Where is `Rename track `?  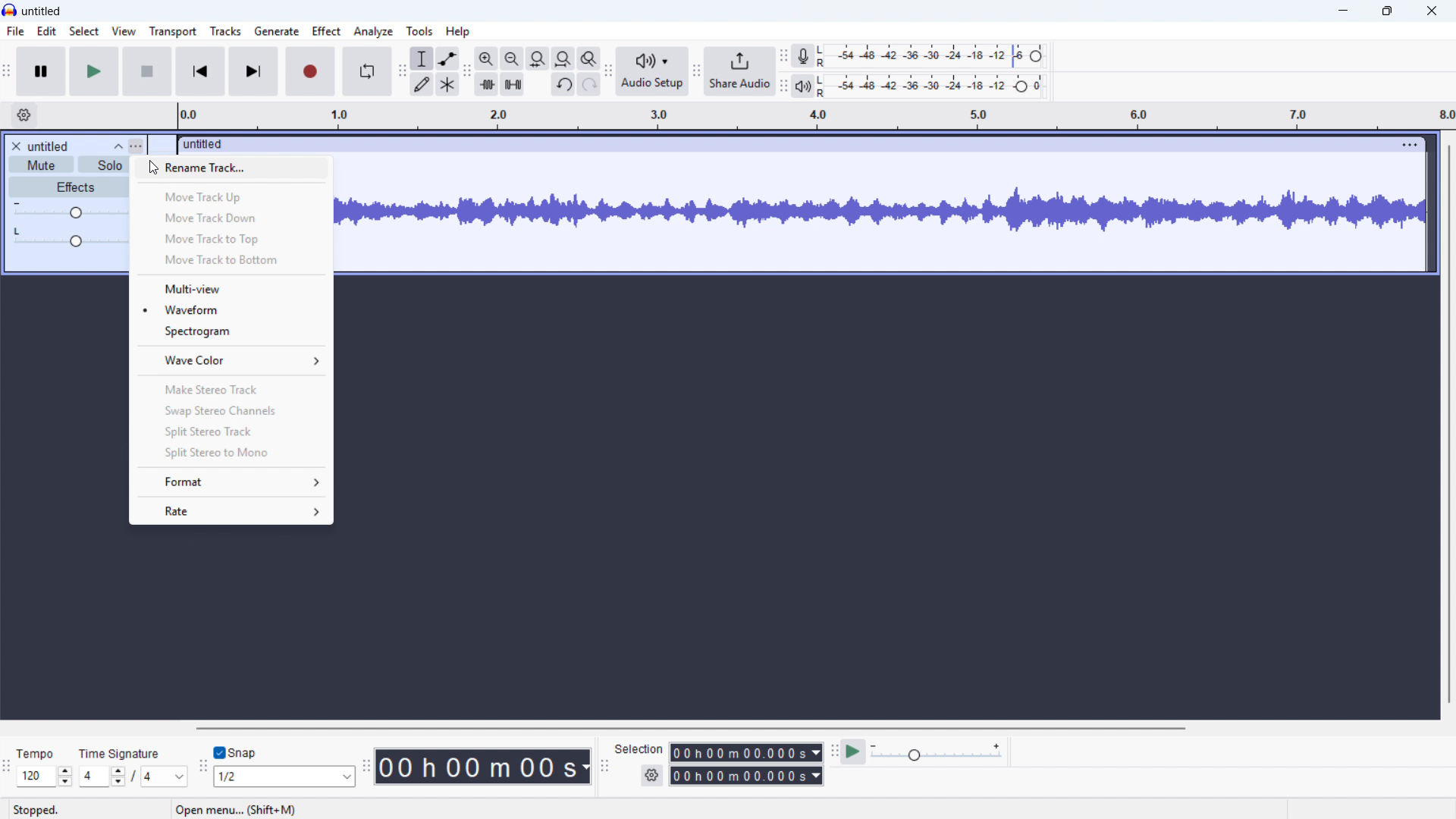 Rename track  is located at coordinates (231, 169).